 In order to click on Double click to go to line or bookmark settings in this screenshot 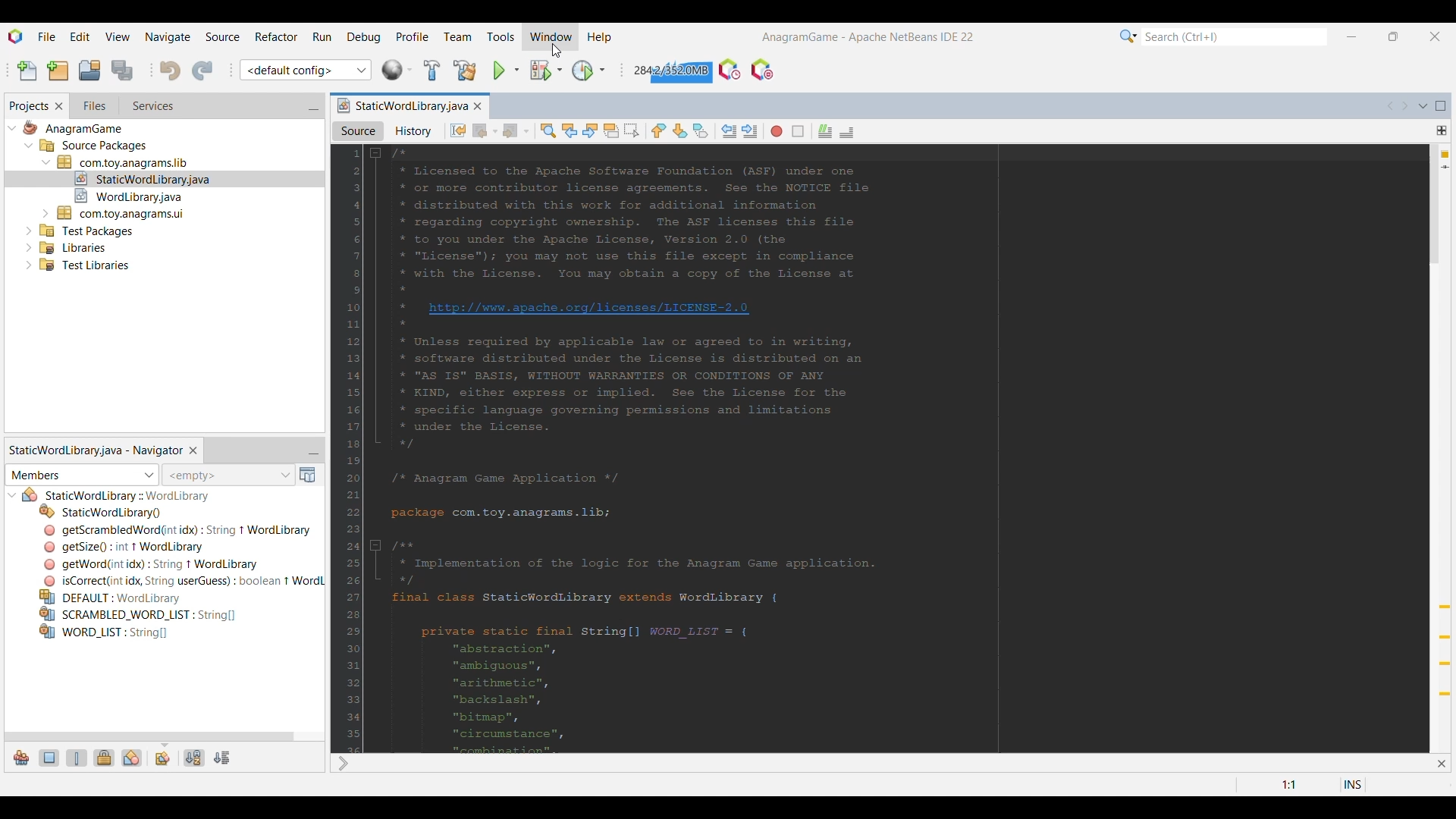, I will do `click(1303, 785)`.